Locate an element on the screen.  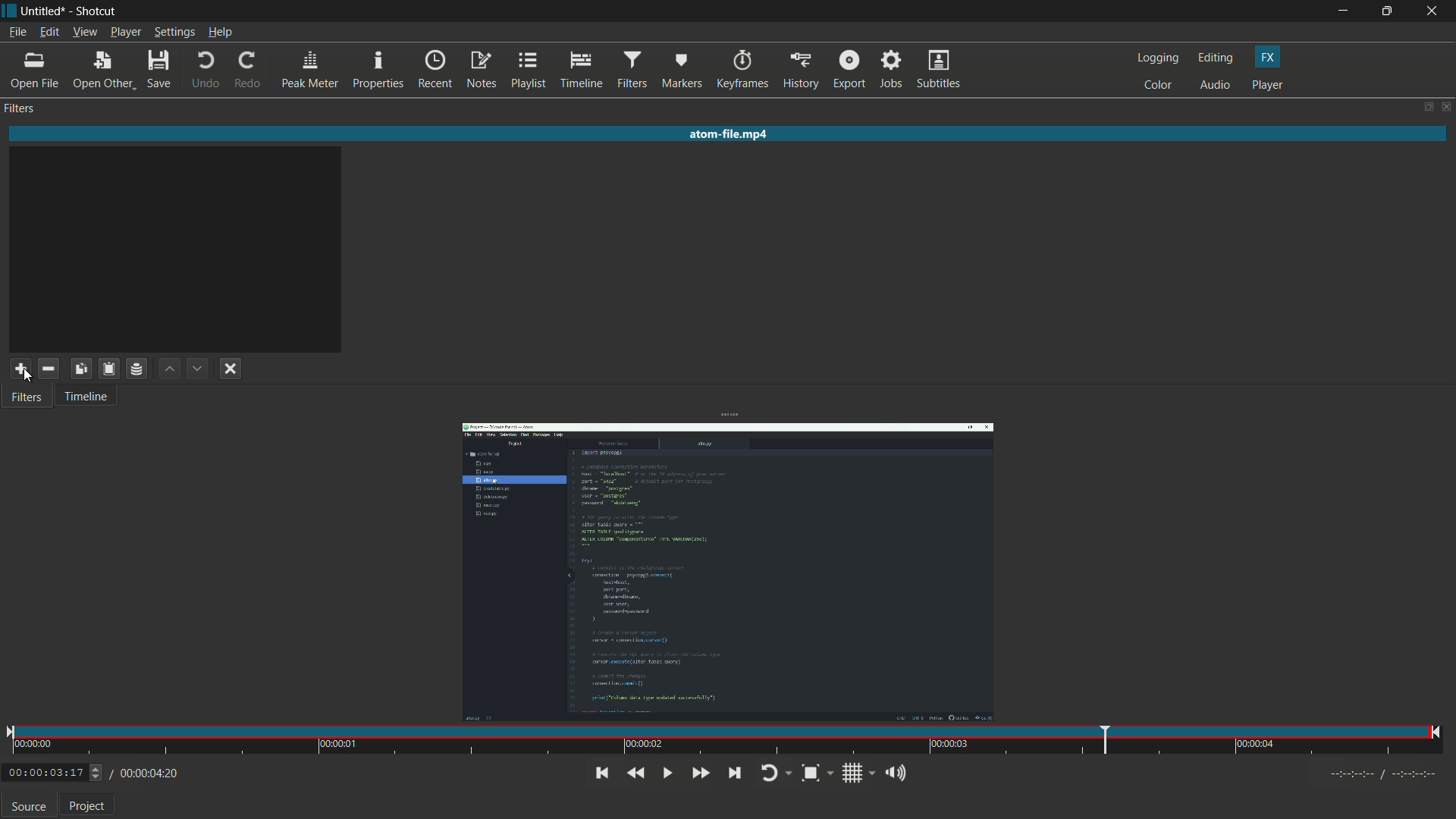
editing is located at coordinates (1216, 58).